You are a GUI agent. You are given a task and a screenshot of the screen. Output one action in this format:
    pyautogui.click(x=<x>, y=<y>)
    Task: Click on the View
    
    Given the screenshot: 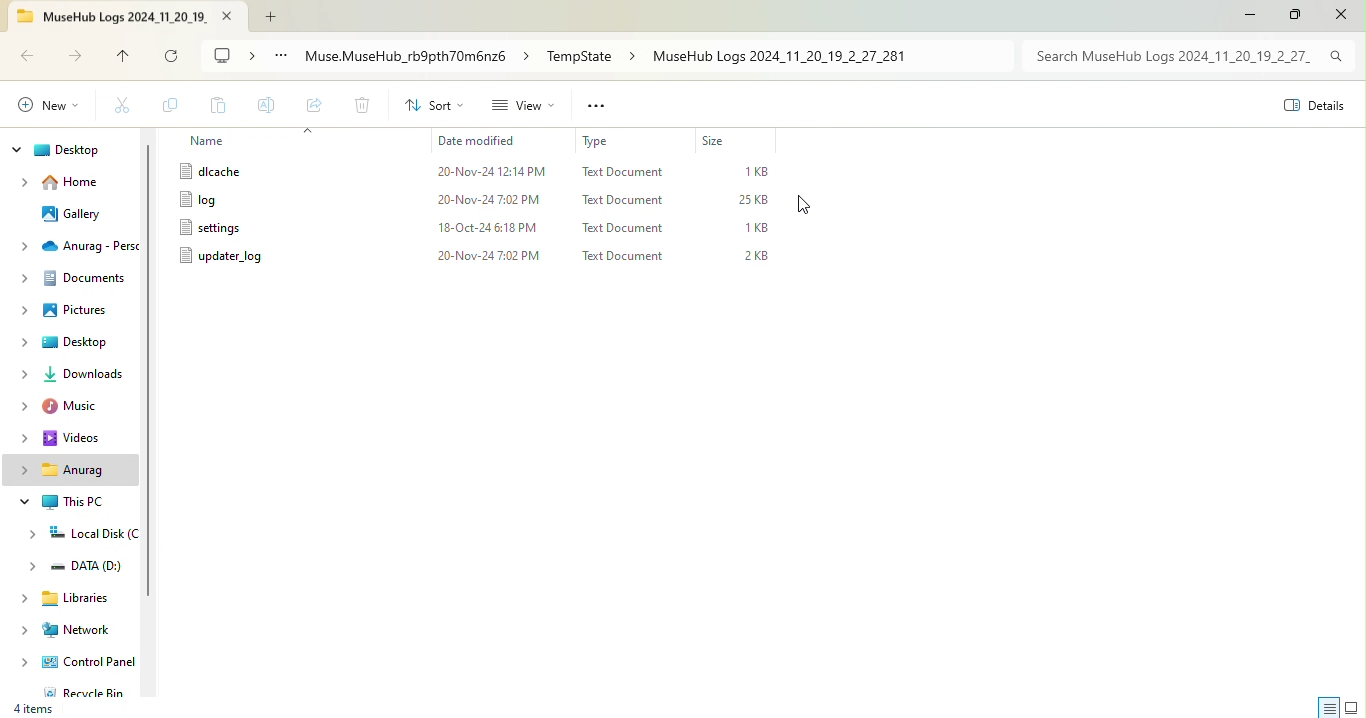 What is the action you would take?
    pyautogui.click(x=1312, y=103)
    